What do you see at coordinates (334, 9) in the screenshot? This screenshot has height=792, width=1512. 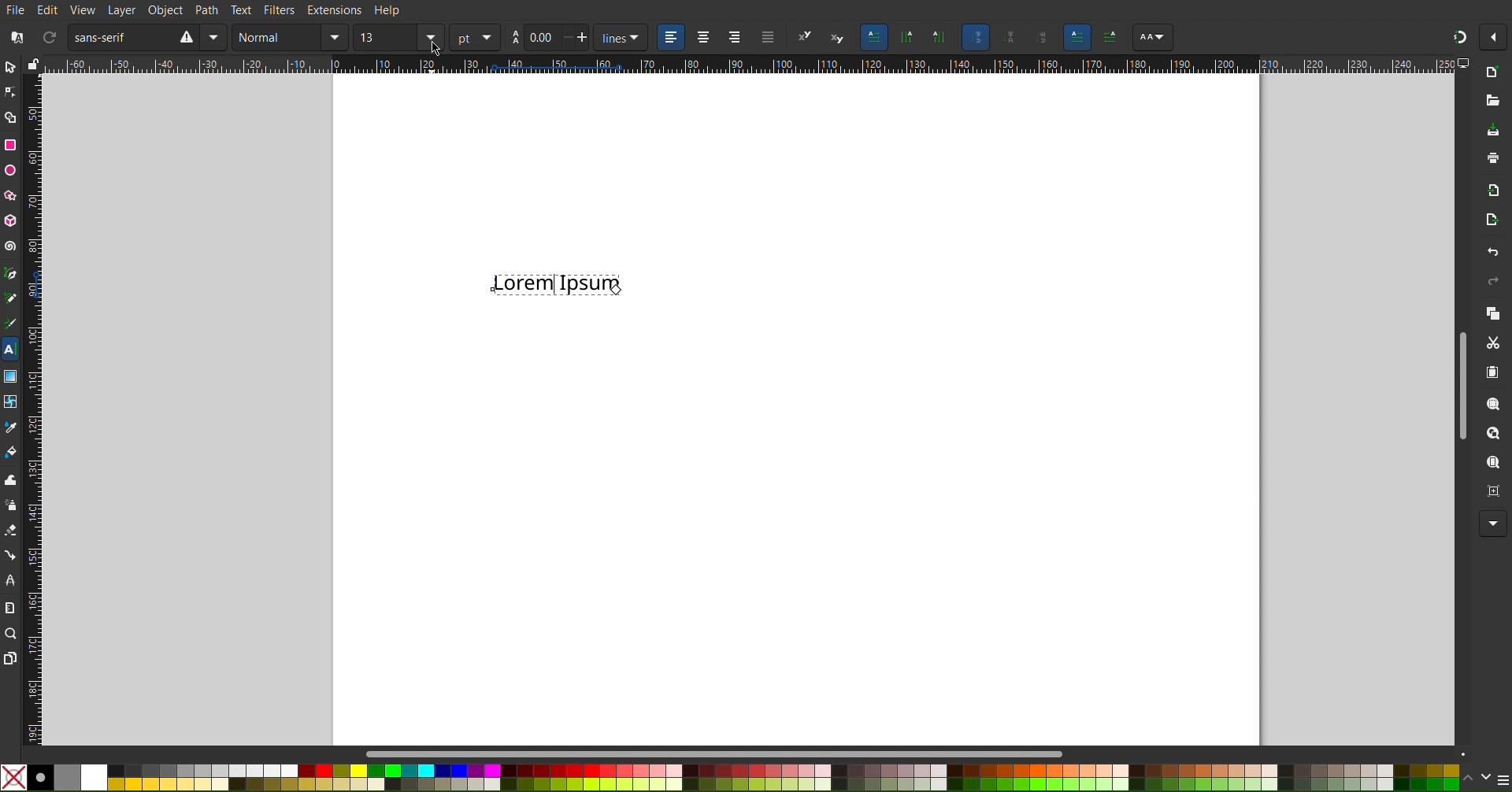 I see `Extensions` at bounding box center [334, 9].